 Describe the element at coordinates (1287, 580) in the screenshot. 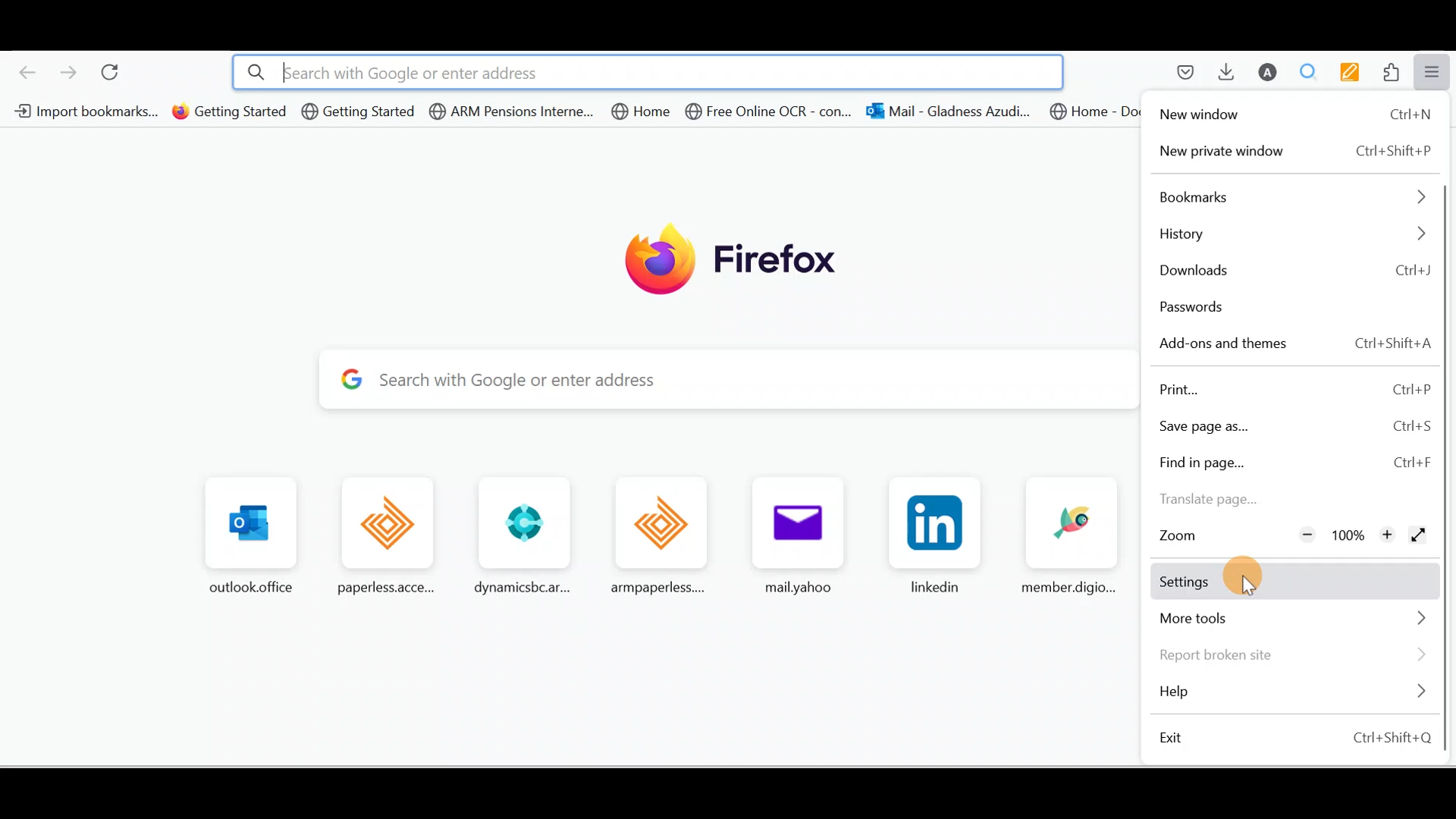

I see `Settings` at that location.